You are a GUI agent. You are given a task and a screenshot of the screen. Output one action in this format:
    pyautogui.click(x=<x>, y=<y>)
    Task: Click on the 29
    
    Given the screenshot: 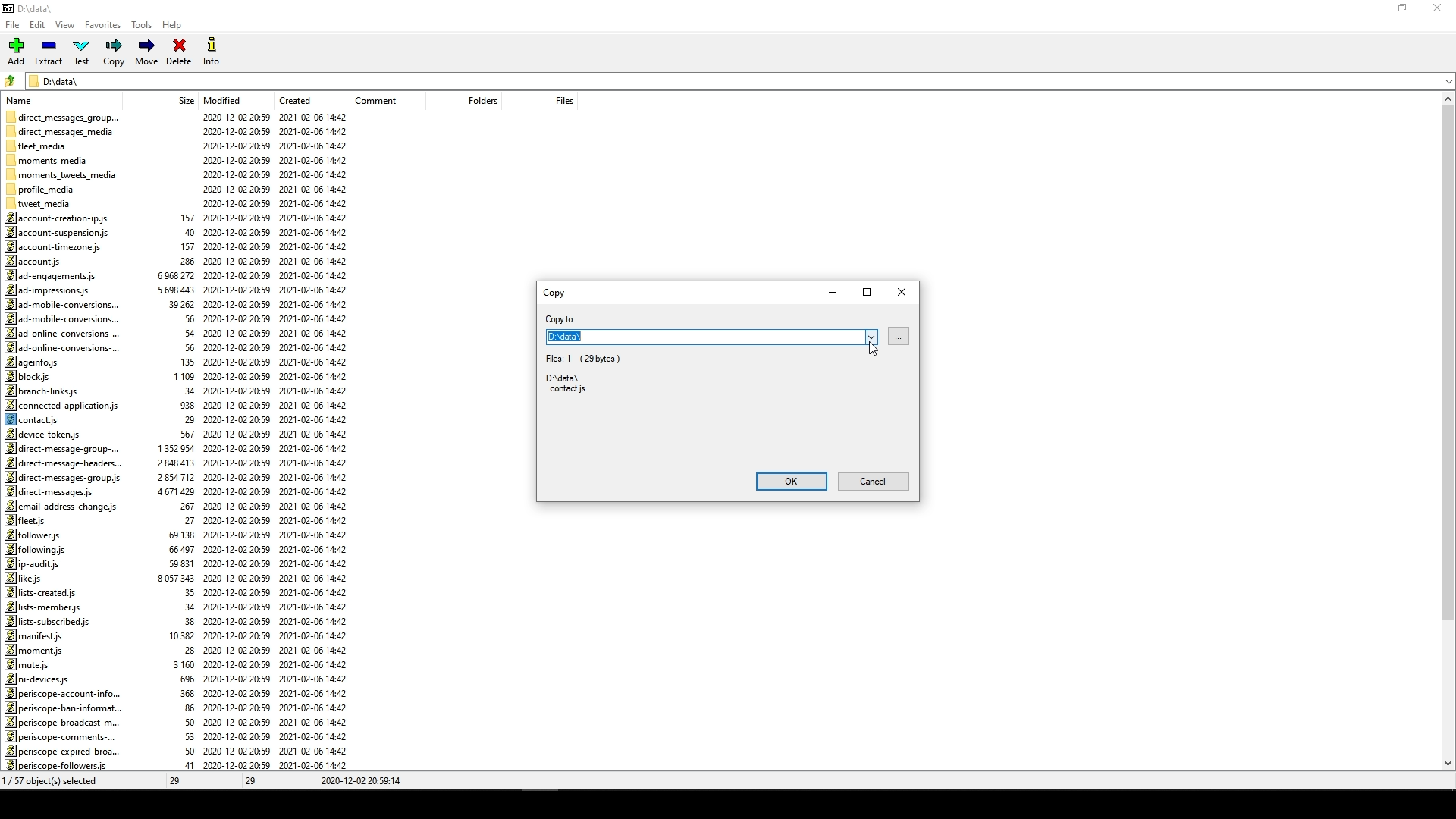 What is the action you would take?
    pyautogui.click(x=179, y=780)
    